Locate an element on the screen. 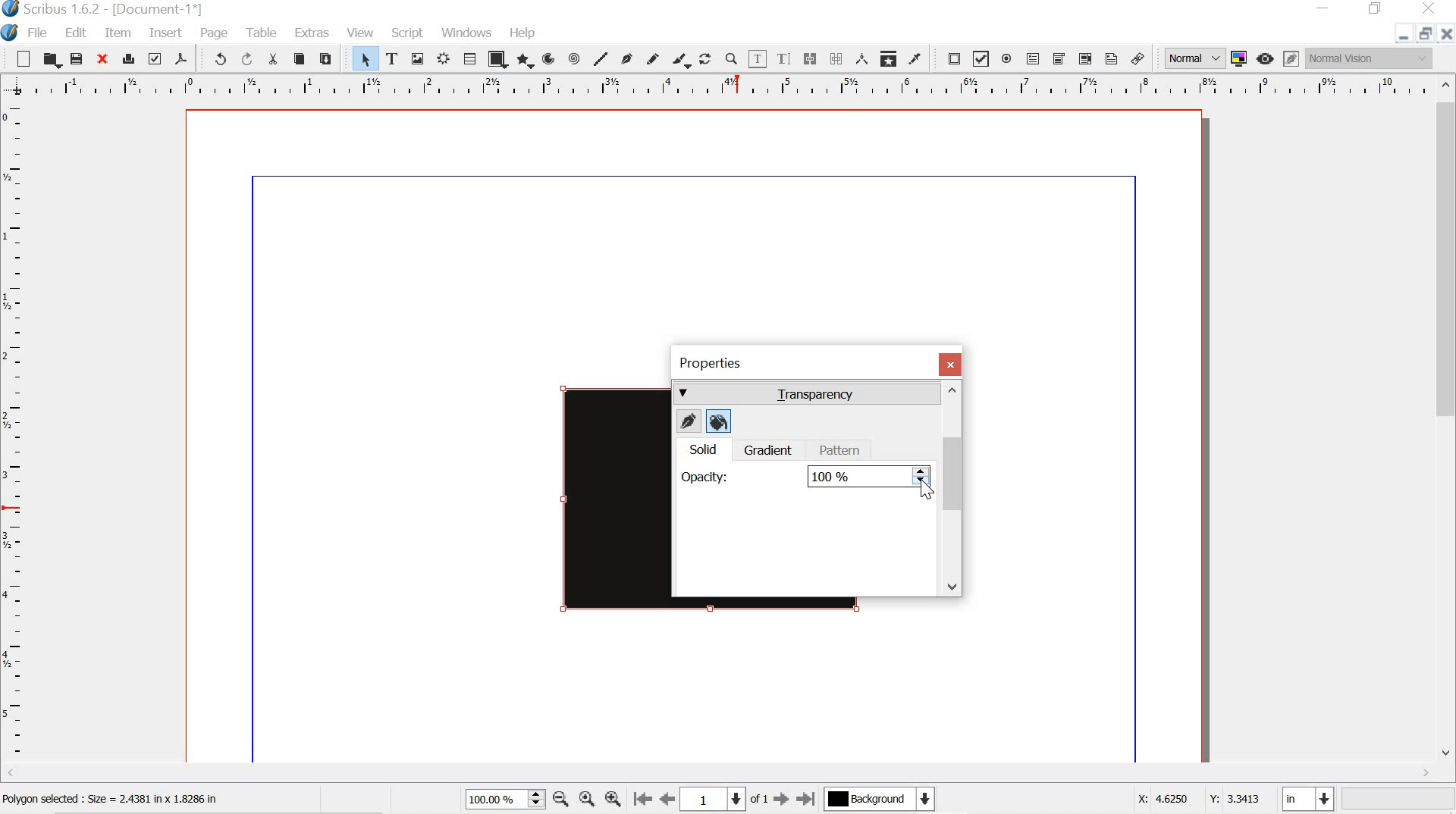  image frame is located at coordinates (418, 59).